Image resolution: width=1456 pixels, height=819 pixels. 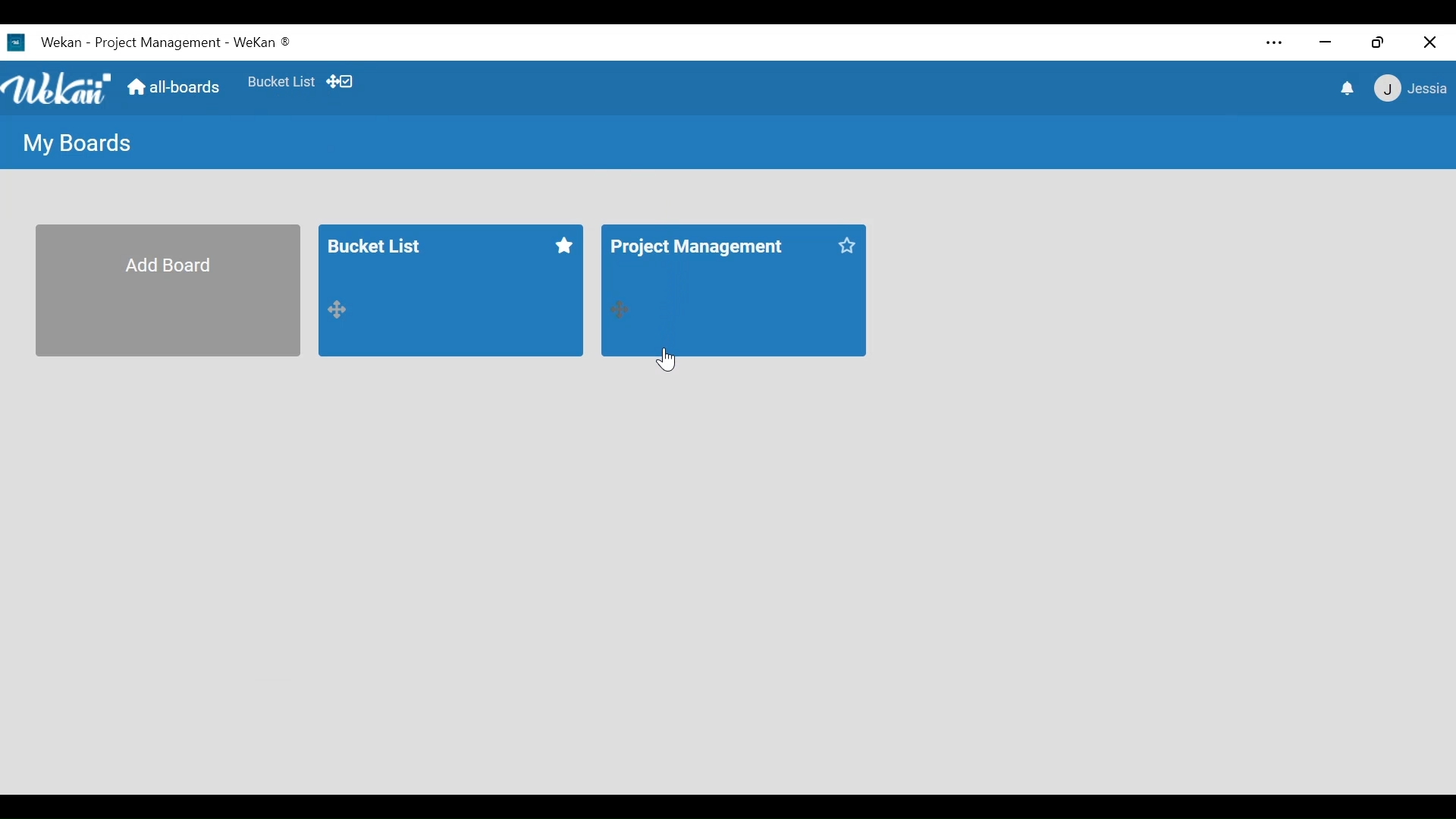 What do you see at coordinates (195, 45) in the screenshot?
I see `Board Title` at bounding box center [195, 45].